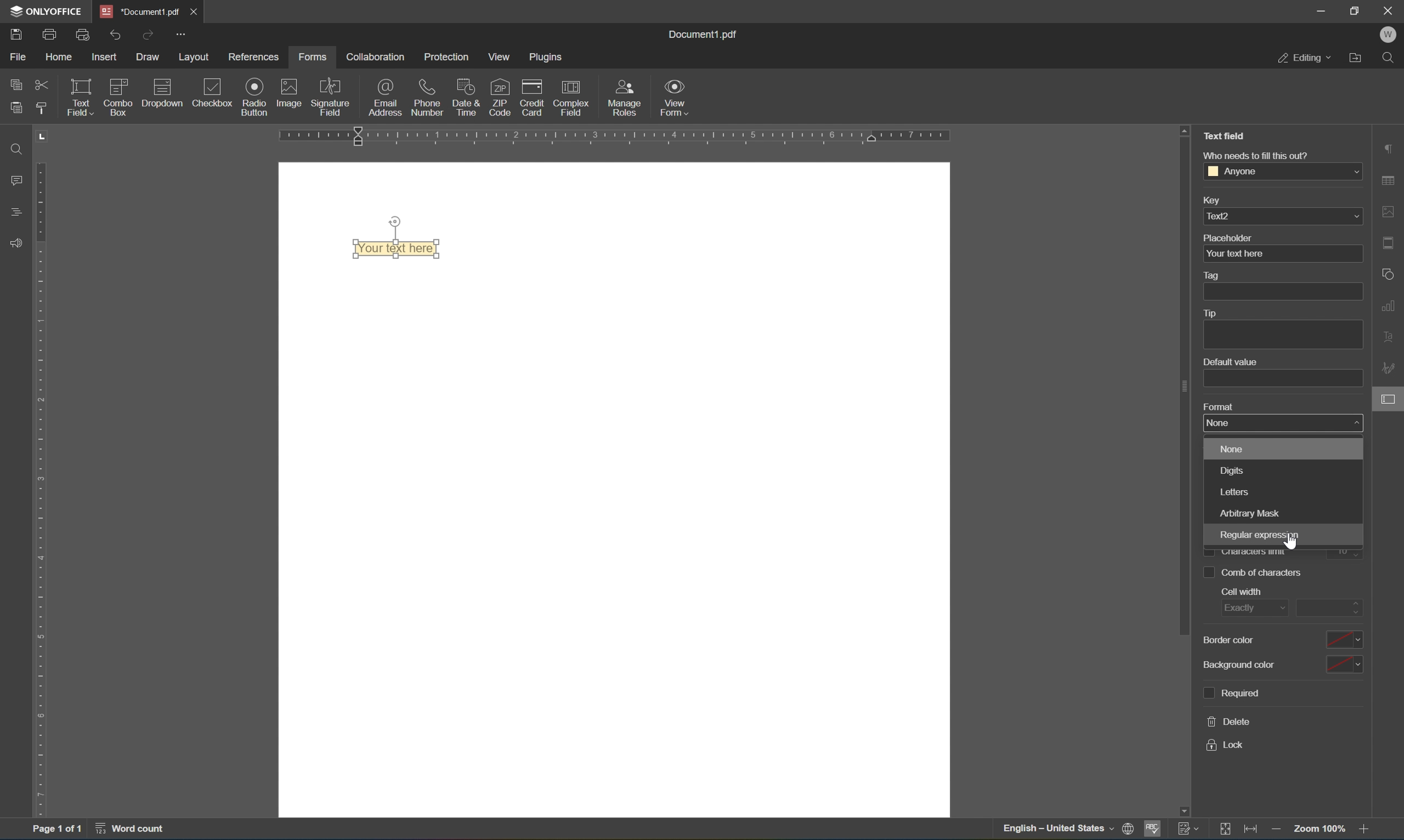 The image size is (1404, 840). What do you see at coordinates (1212, 199) in the screenshot?
I see `key` at bounding box center [1212, 199].